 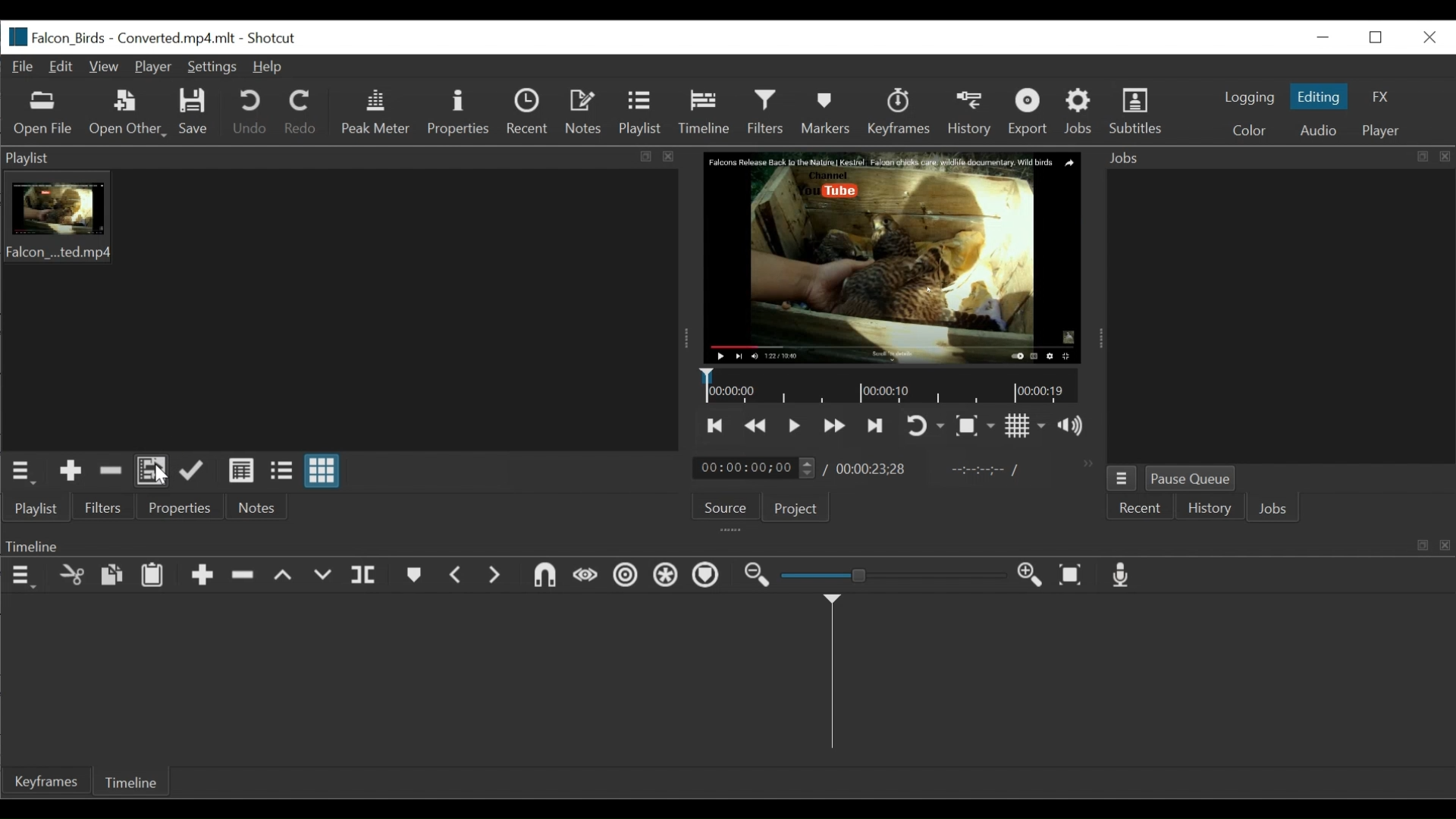 What do you see at coordinates (1250, 129) in the screenshot?
I see `Colr` at bounding box center [1250, 129].